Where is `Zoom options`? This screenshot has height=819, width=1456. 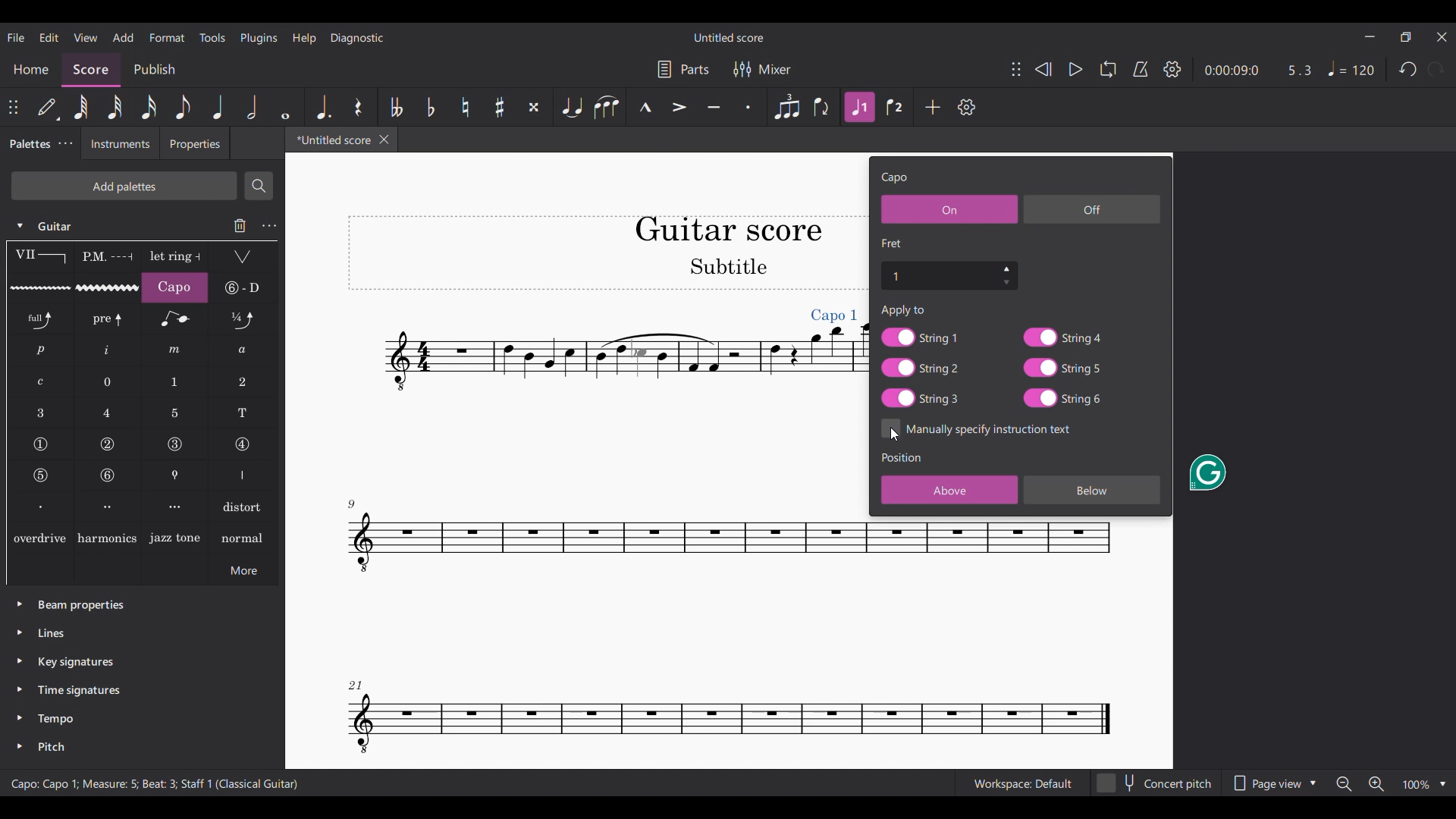
Zoom options is located at coordinates (1424, 785).